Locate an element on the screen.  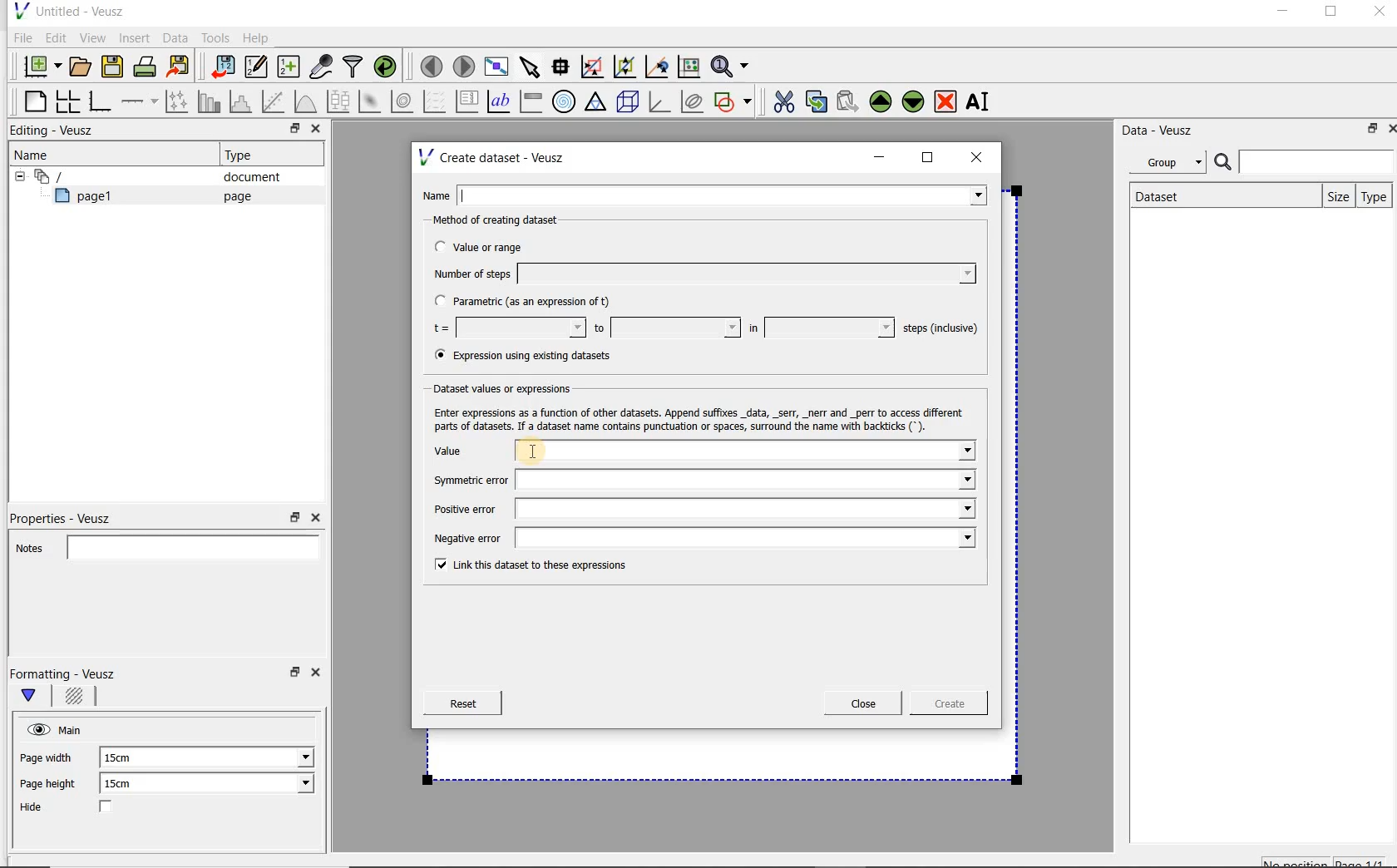
Name is located at coordinates (37, 154).